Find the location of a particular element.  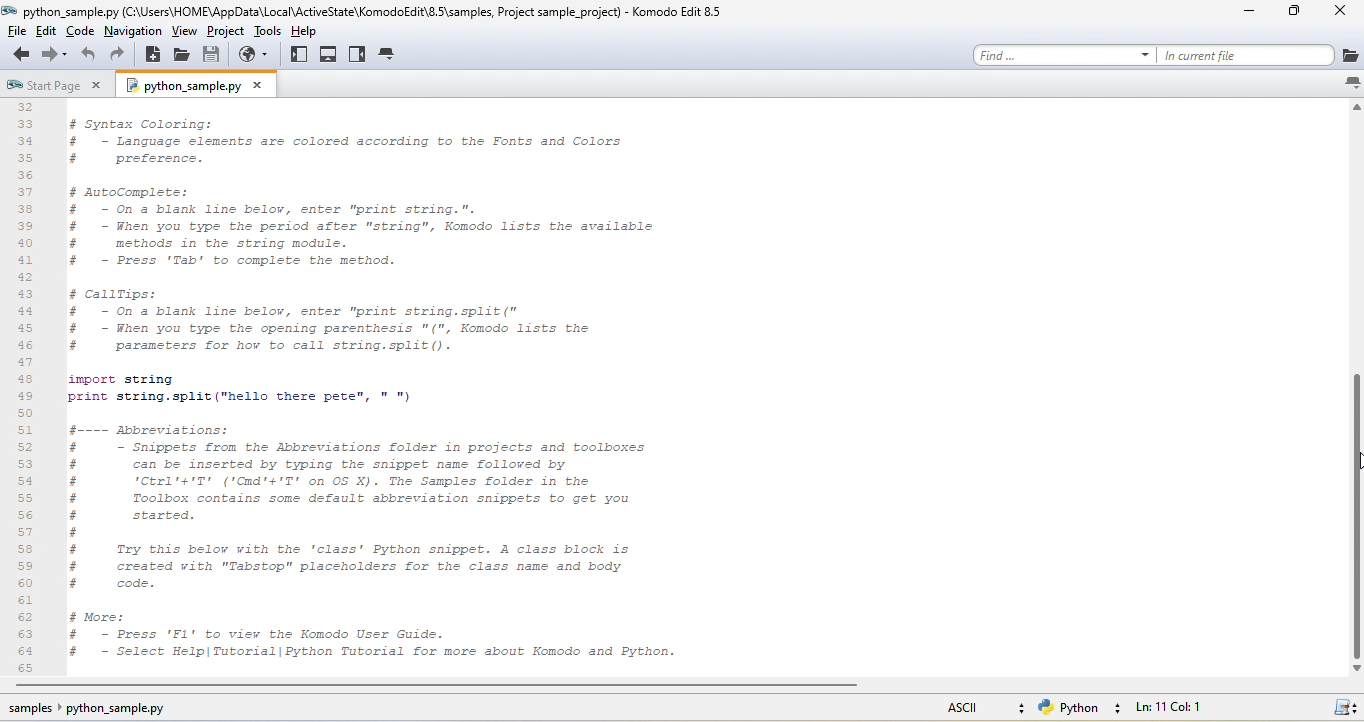

sample python is located at coordinates (116, 711).